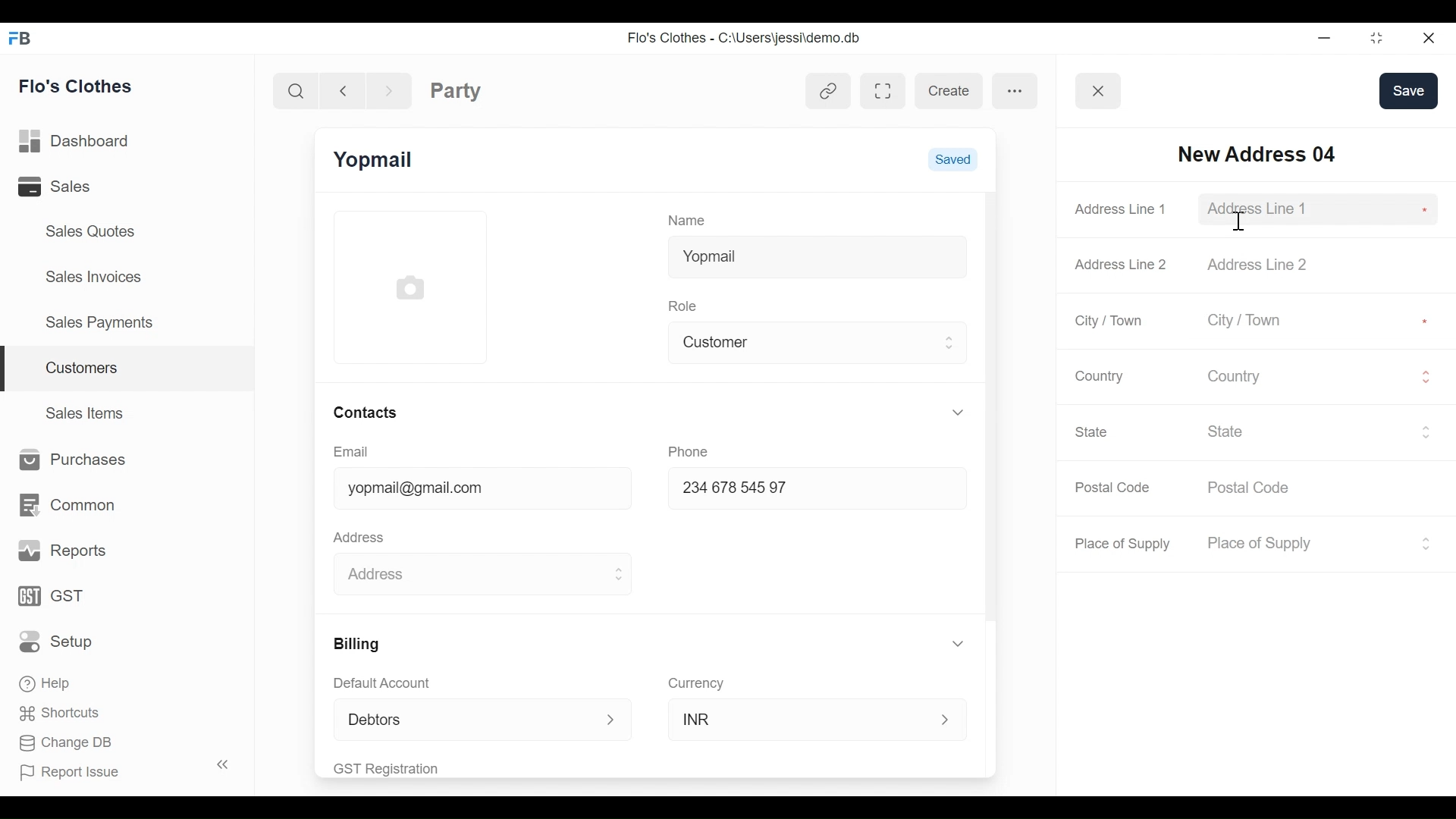  What do you see at coordinates (55, 712) in the screenshot?
I see `Shortcuts` at bounding box center [55, 712].